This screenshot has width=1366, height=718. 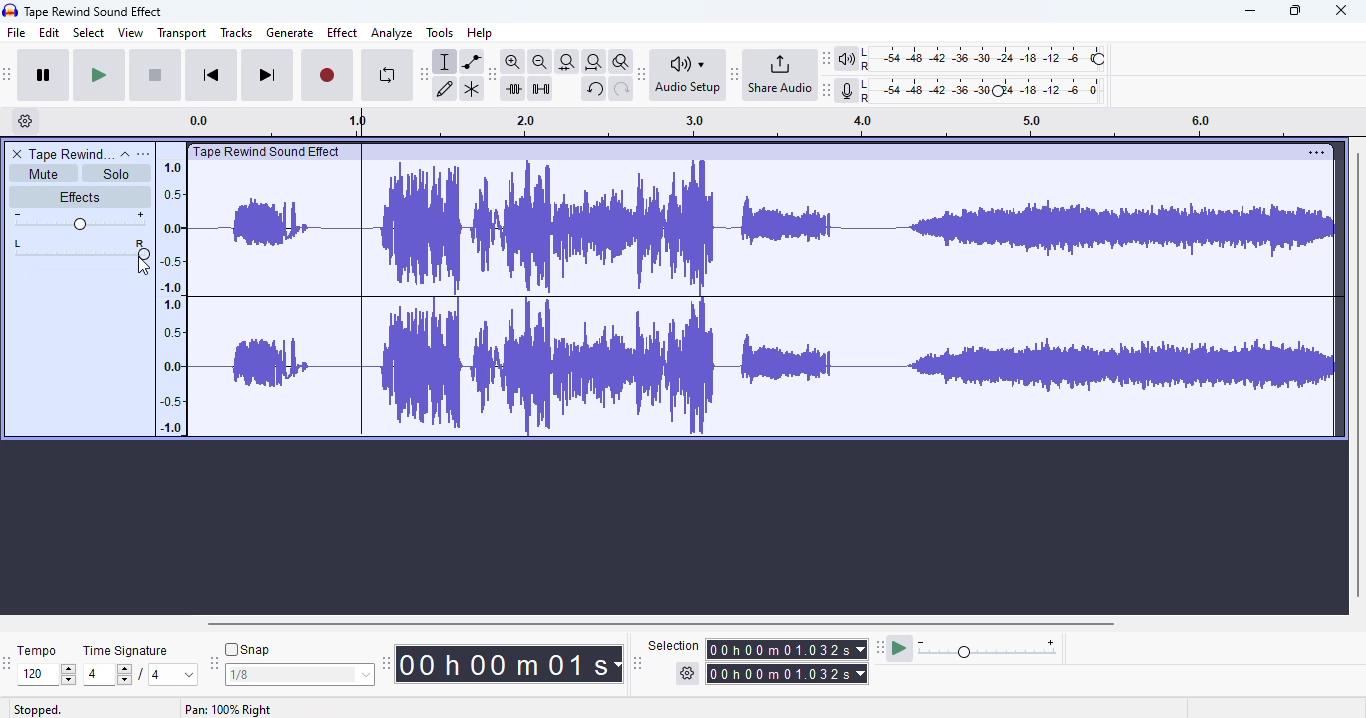 I want to click on audacity playback meter toolbar, so click(x=826, y=58).